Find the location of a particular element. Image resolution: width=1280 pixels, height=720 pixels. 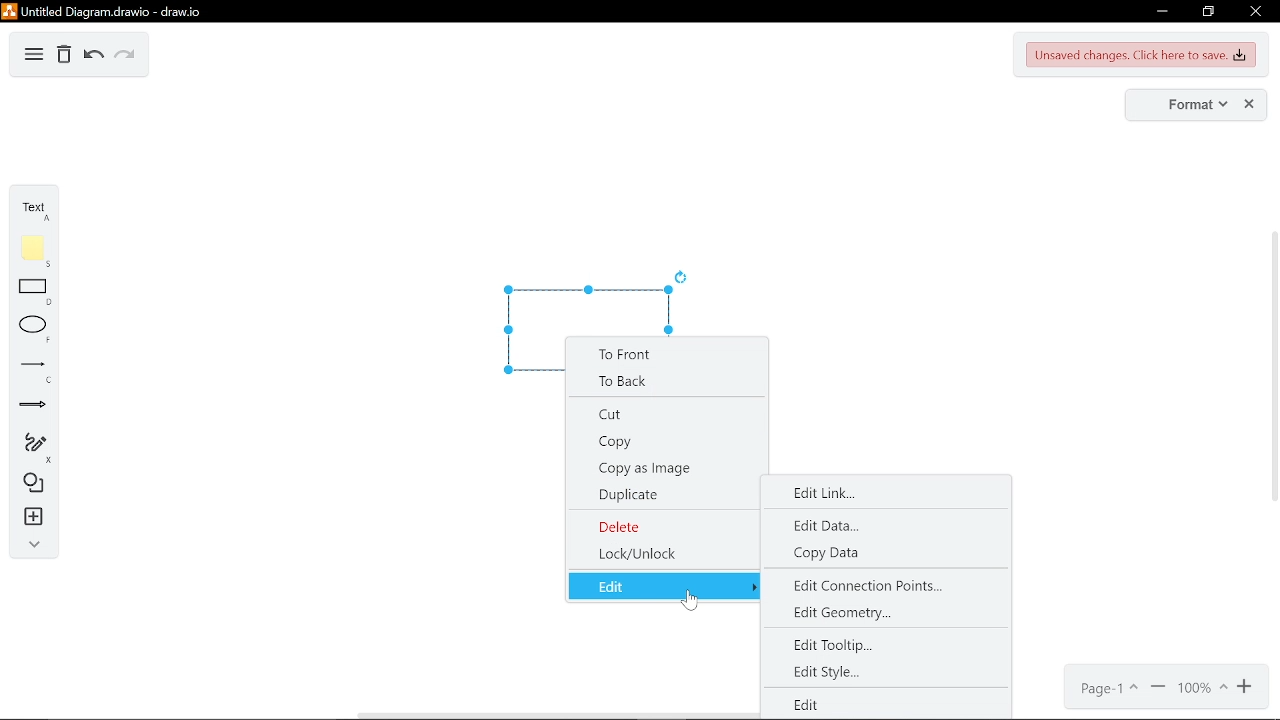

text is located at coordinates (38, 211).